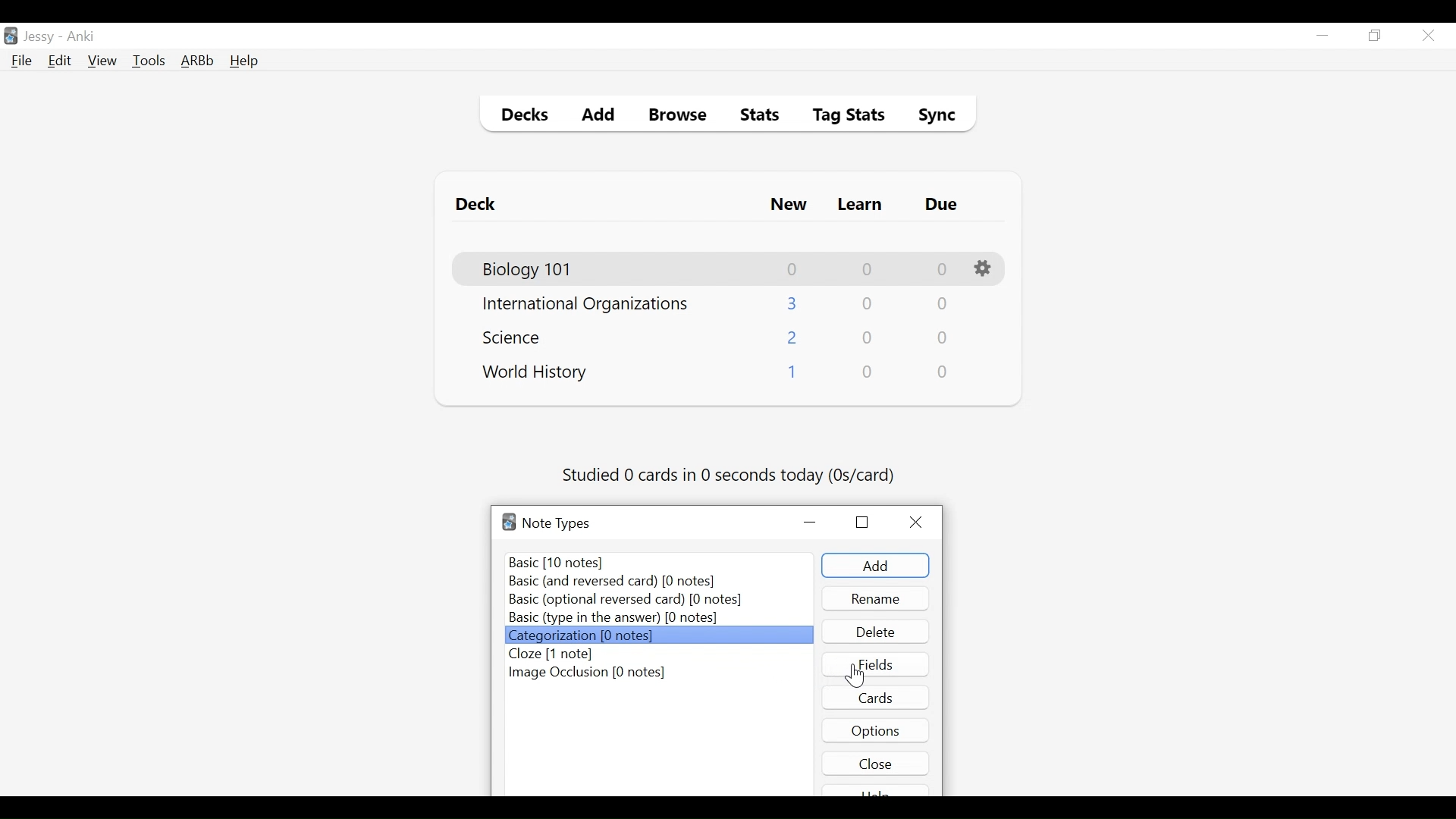  What do you see at coordinates (943, 205) in the screenshot?
I see `Due` at bounding box center [943, 205].